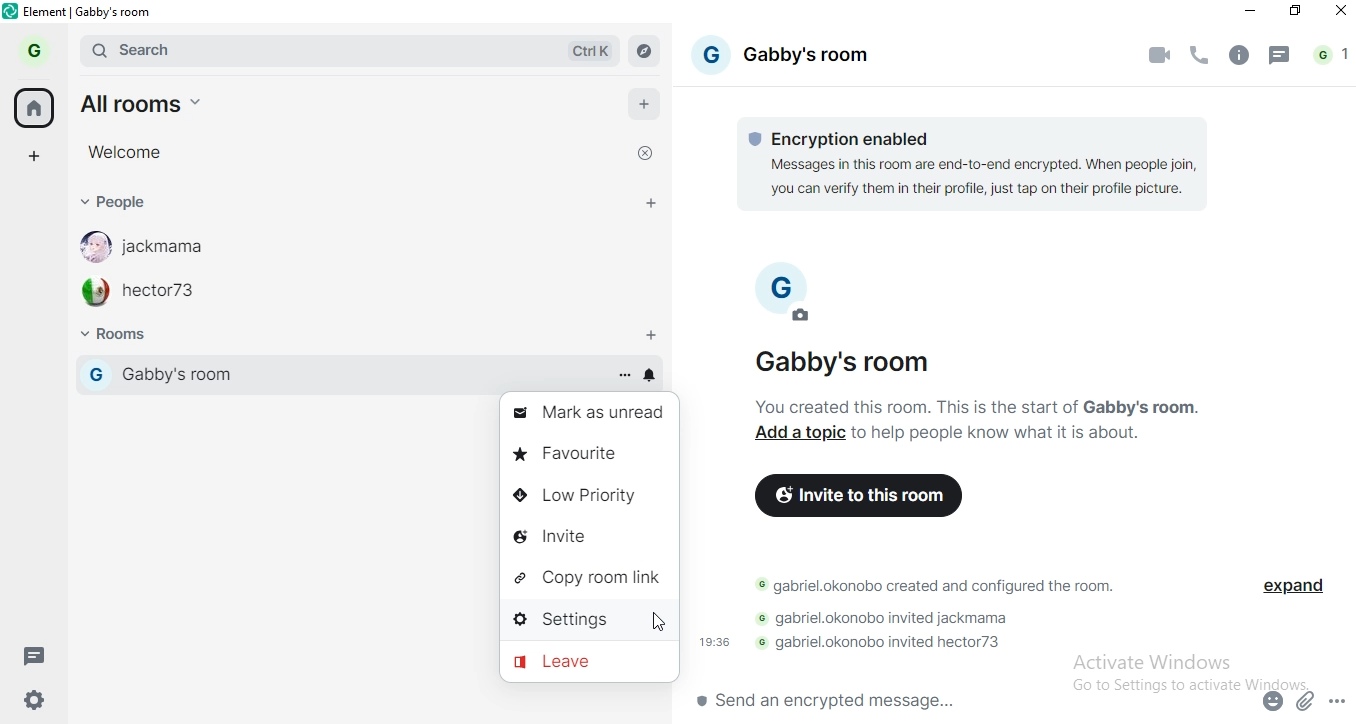 This screenshot has width=1356, height=724. I want to click on mark as unread, so click(592, 411).